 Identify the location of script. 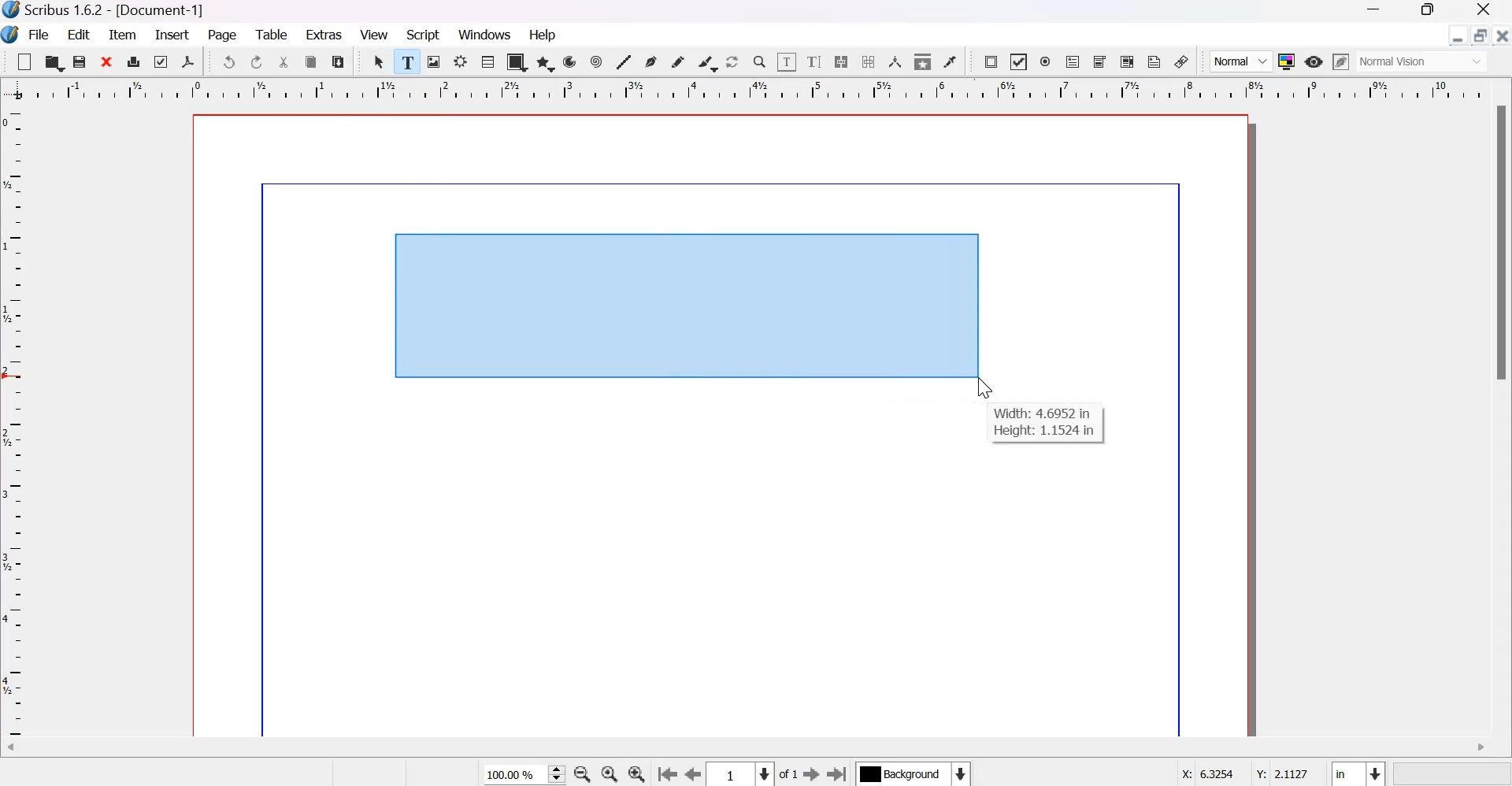
(424, 35).